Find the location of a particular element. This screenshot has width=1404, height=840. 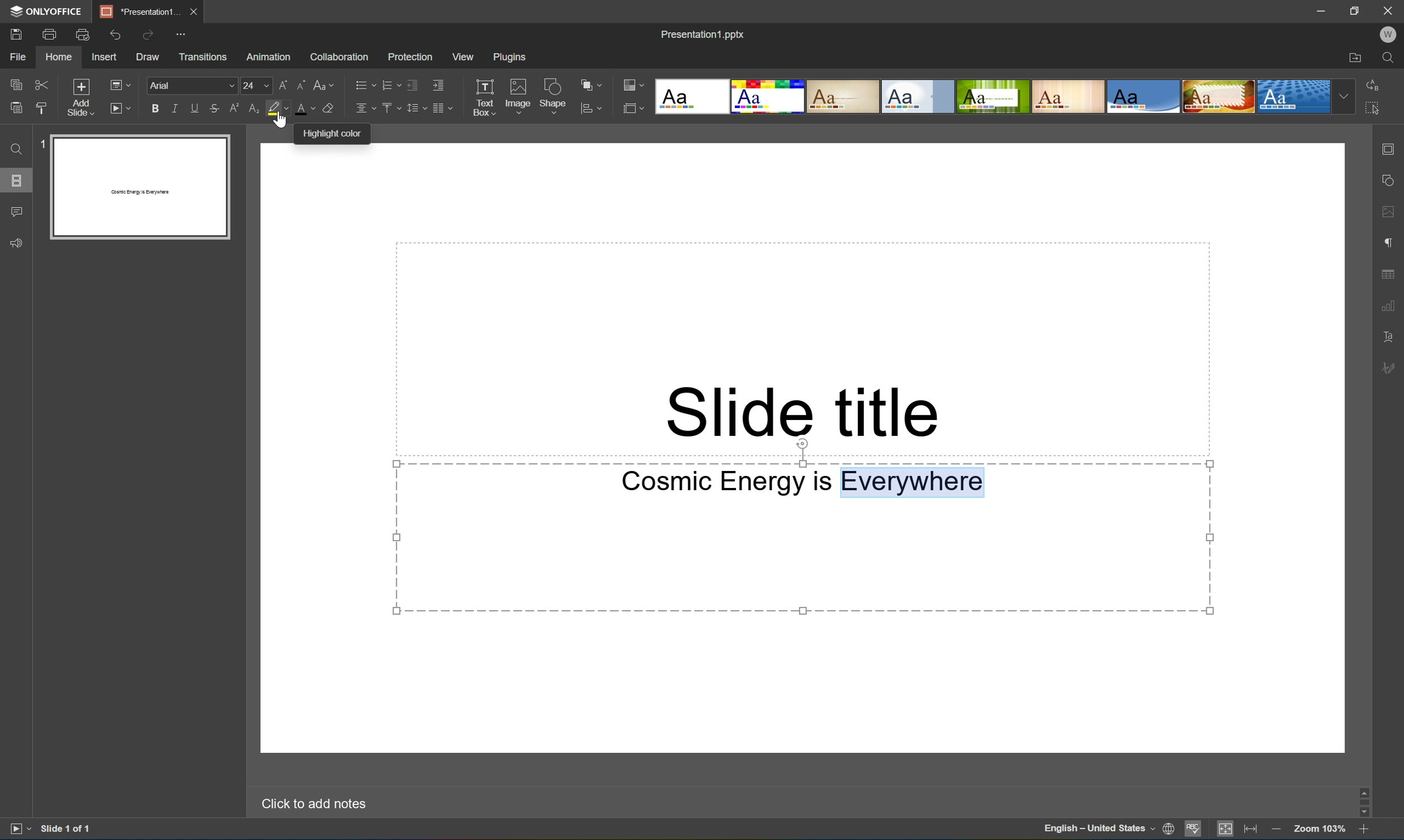

Decrease indent is located at coordinates (413, 83).